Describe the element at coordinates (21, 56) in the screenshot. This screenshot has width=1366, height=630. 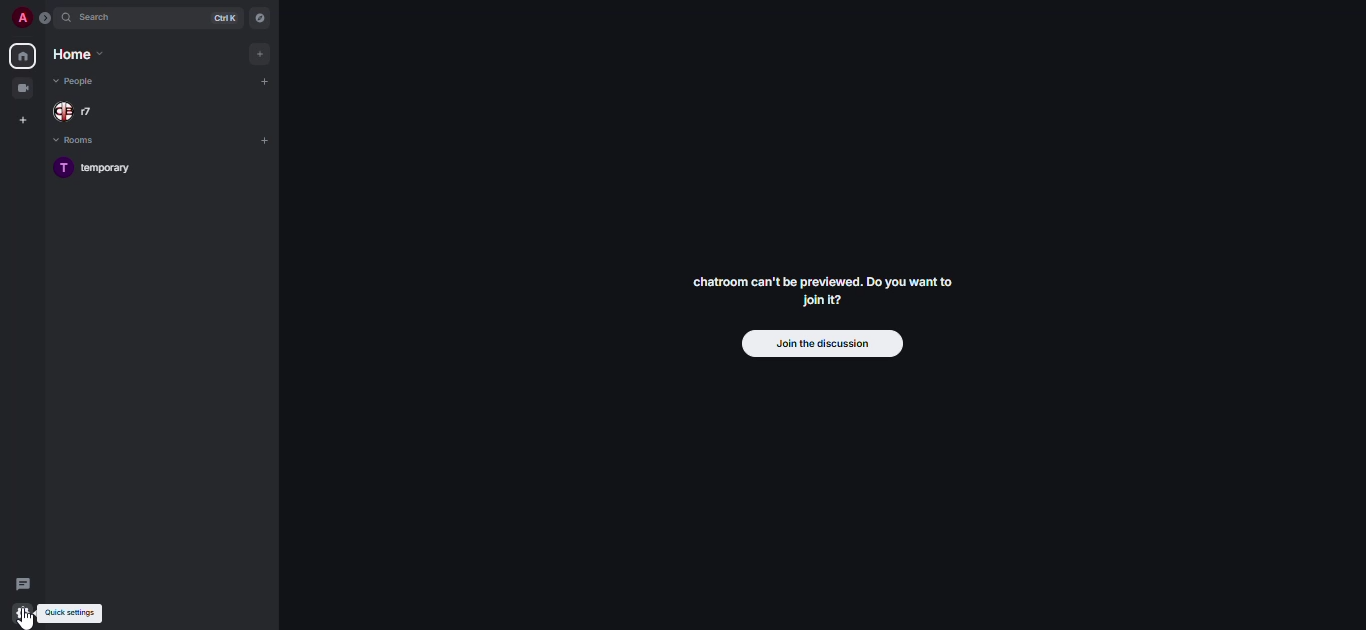
I see `home` at that location.